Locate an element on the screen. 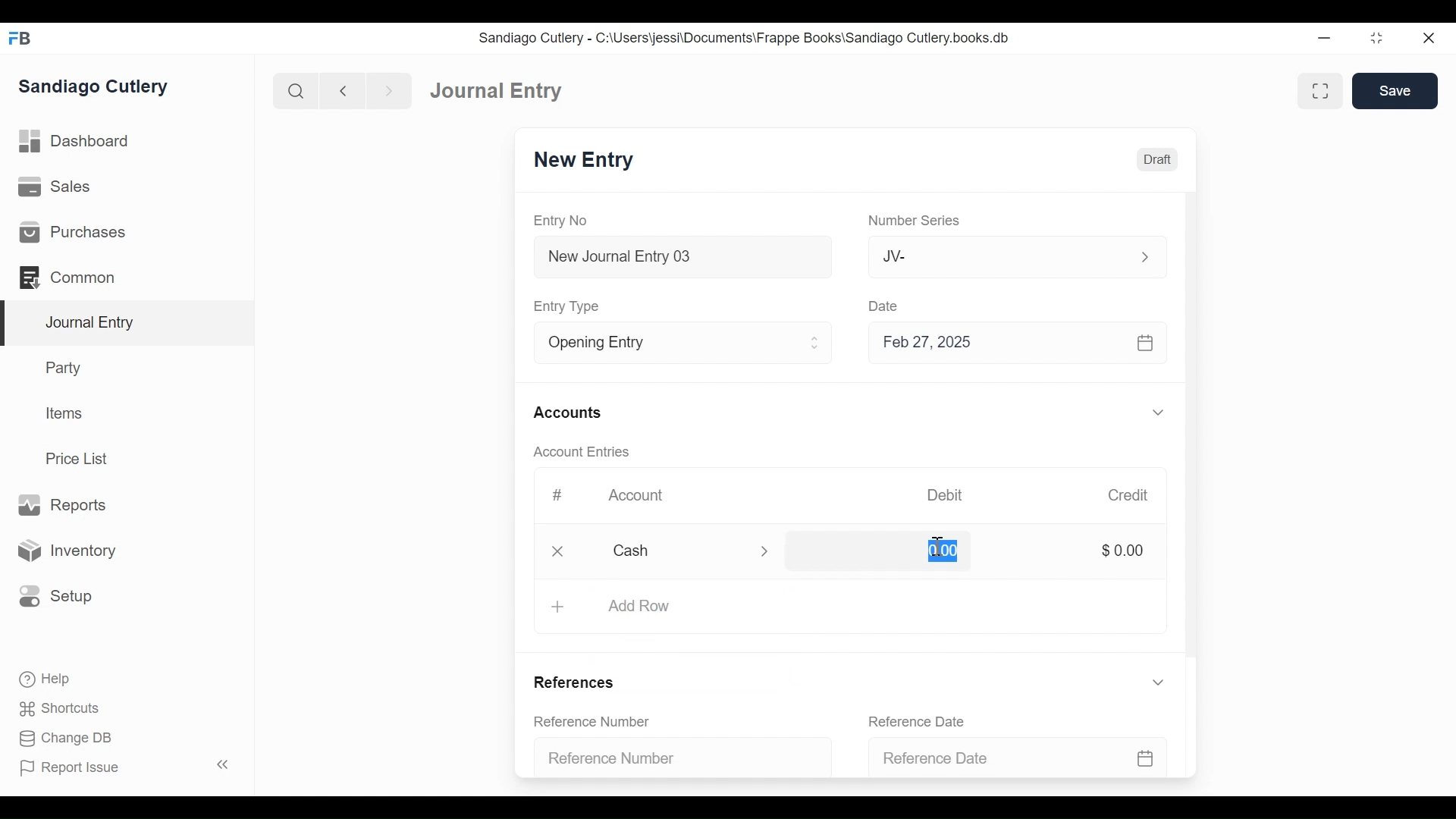 The width and height of the screenshot is (1456, 819). Draft is located at coordinates (1156, 161).